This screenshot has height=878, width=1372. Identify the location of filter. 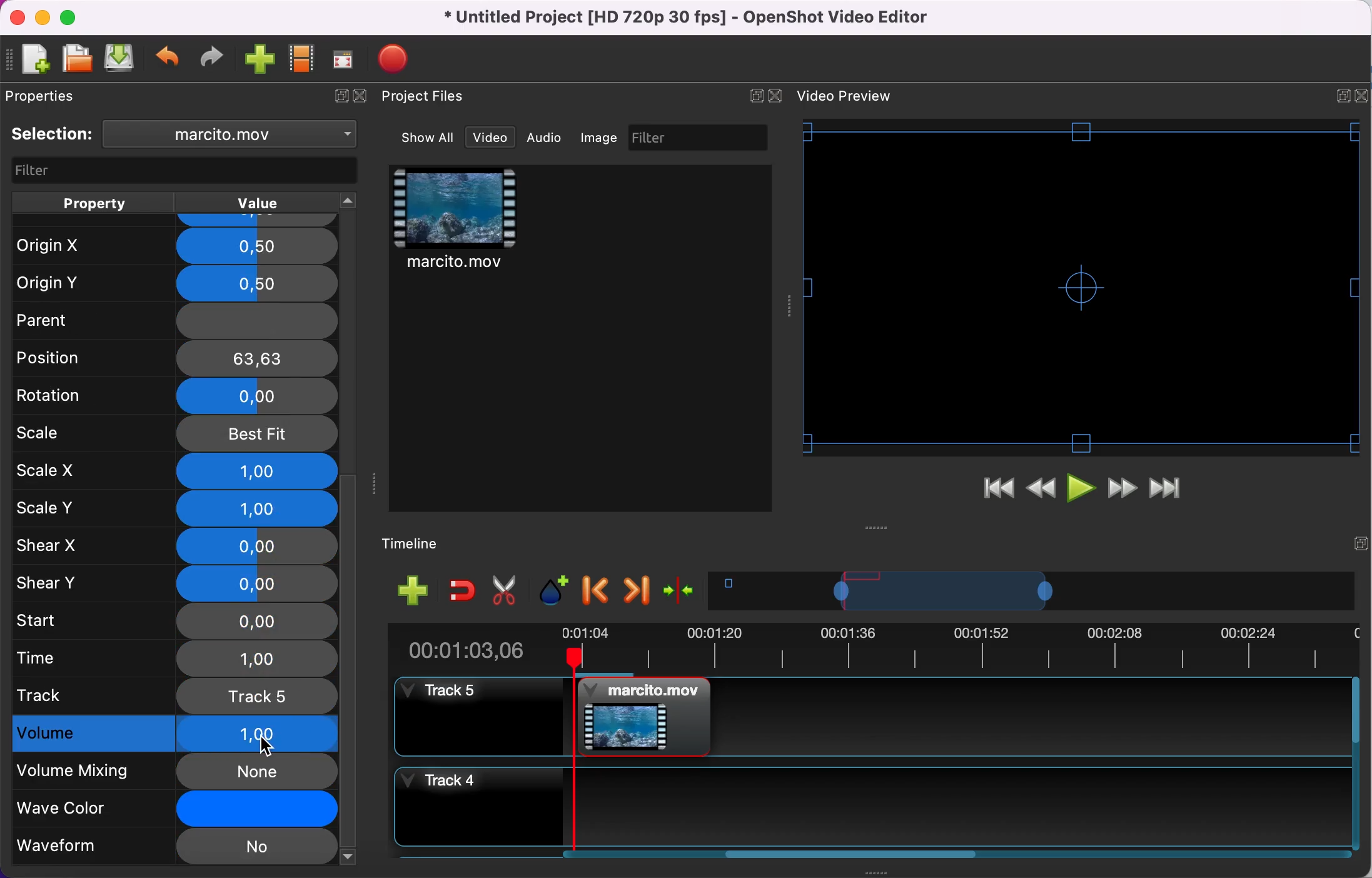
(186, 171).